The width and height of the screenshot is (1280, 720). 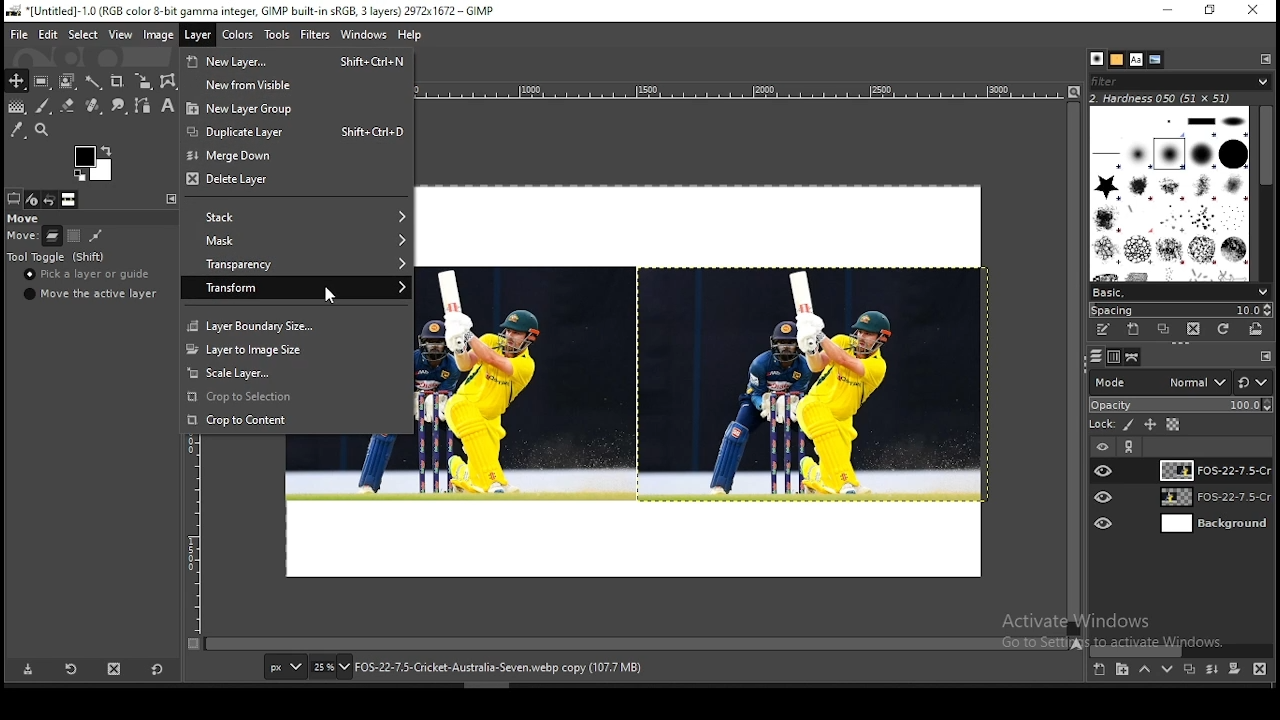 What do you see at coordinates (1180, 291) in the screenshot?
I see `brush presets` at bounding box center [1180, 291].